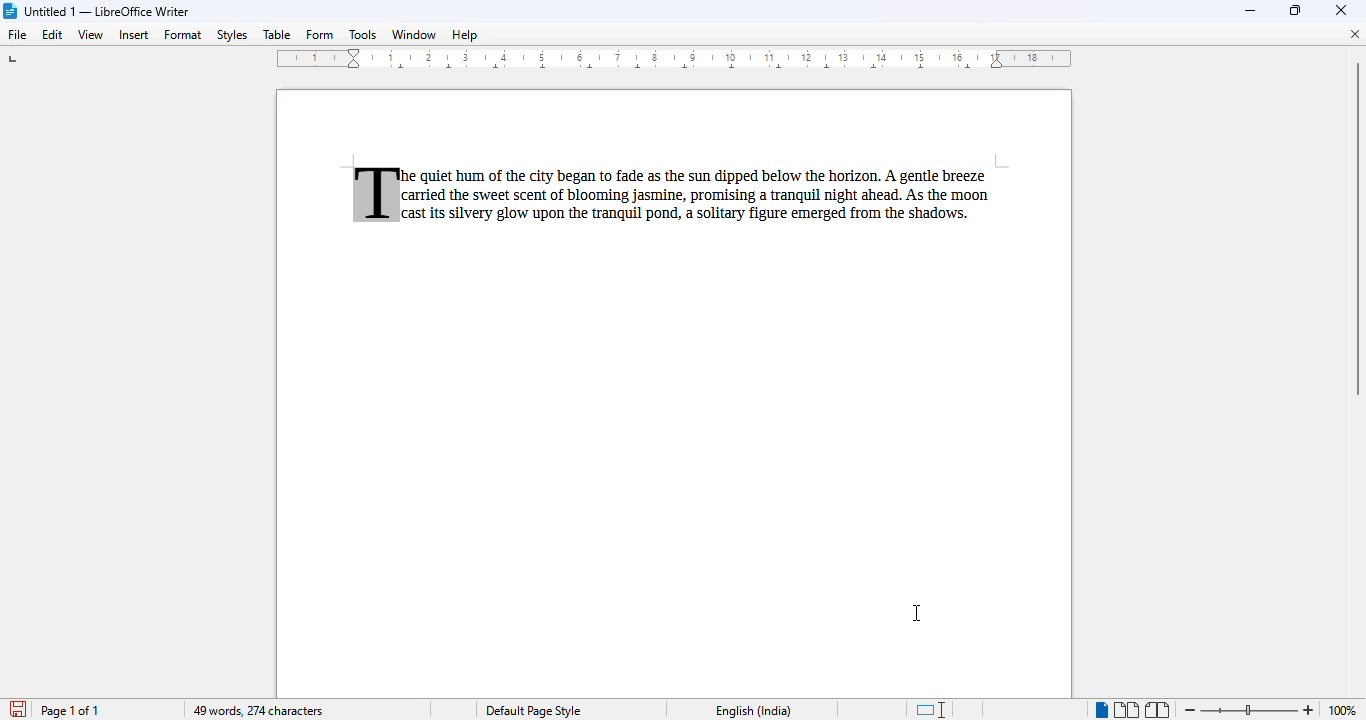 This screenshot has width=1366, height=720. I want to click on view, so click(90, 35).